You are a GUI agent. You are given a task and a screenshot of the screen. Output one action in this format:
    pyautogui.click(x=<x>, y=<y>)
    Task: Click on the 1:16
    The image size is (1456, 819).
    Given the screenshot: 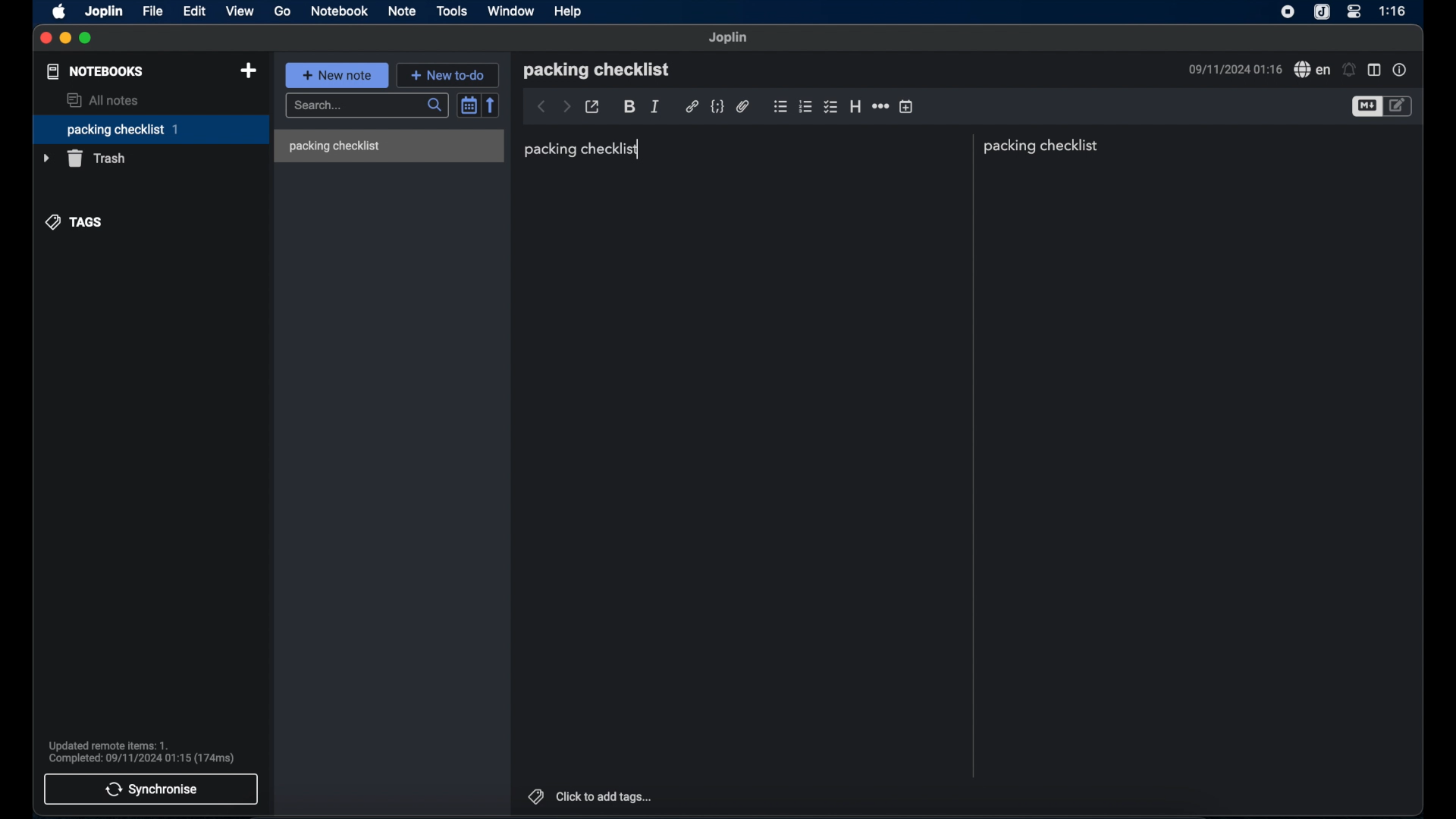 What is the action you would take?
    pyautogui.click(x=1394, y=11)
    